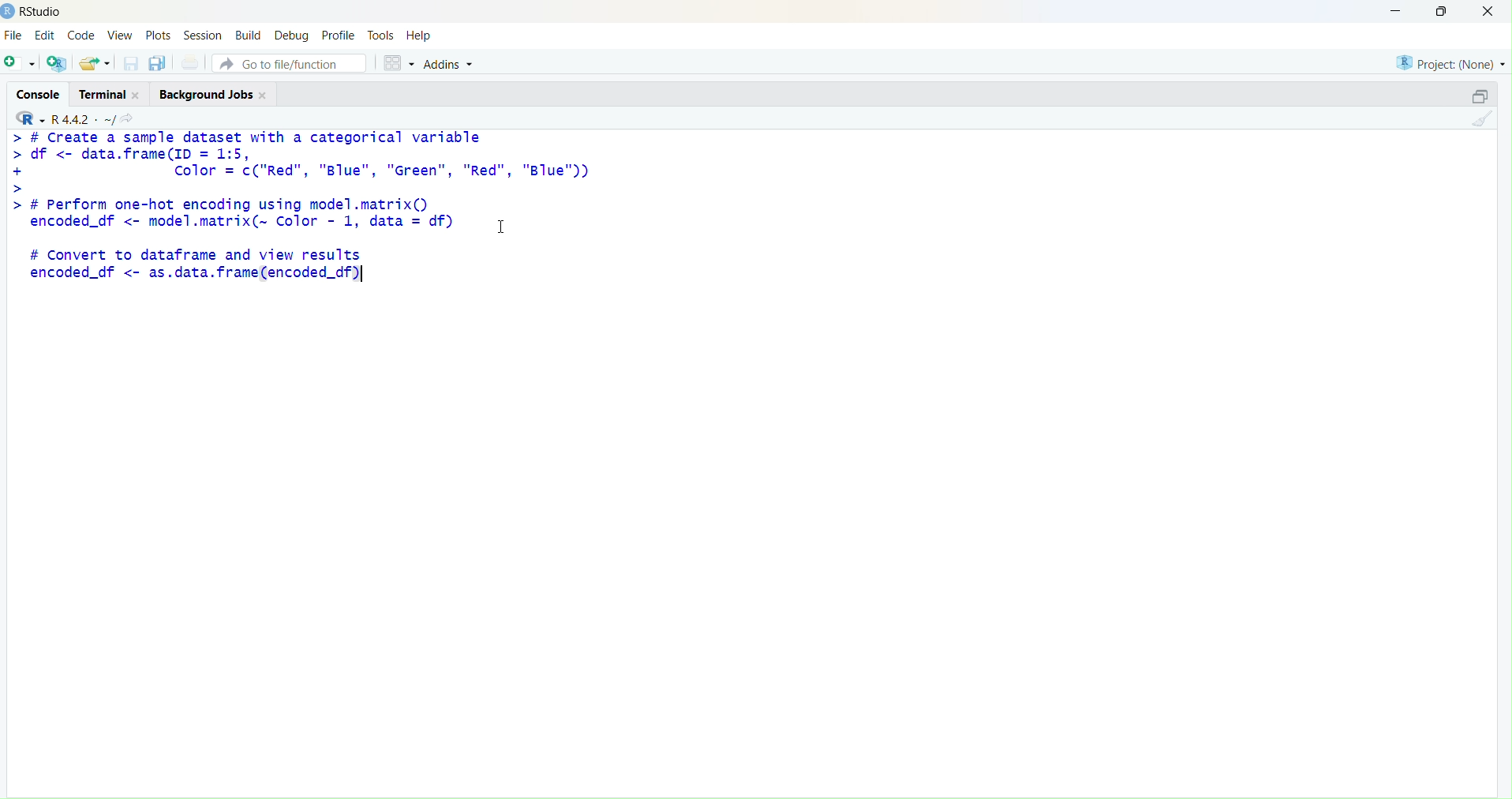 Image resolution: width=1512 pixels, height=799 pixels. What do you see at coordinates (127, 118) in the screenshot?
I see `share icon` at bounding box center [127, 118].